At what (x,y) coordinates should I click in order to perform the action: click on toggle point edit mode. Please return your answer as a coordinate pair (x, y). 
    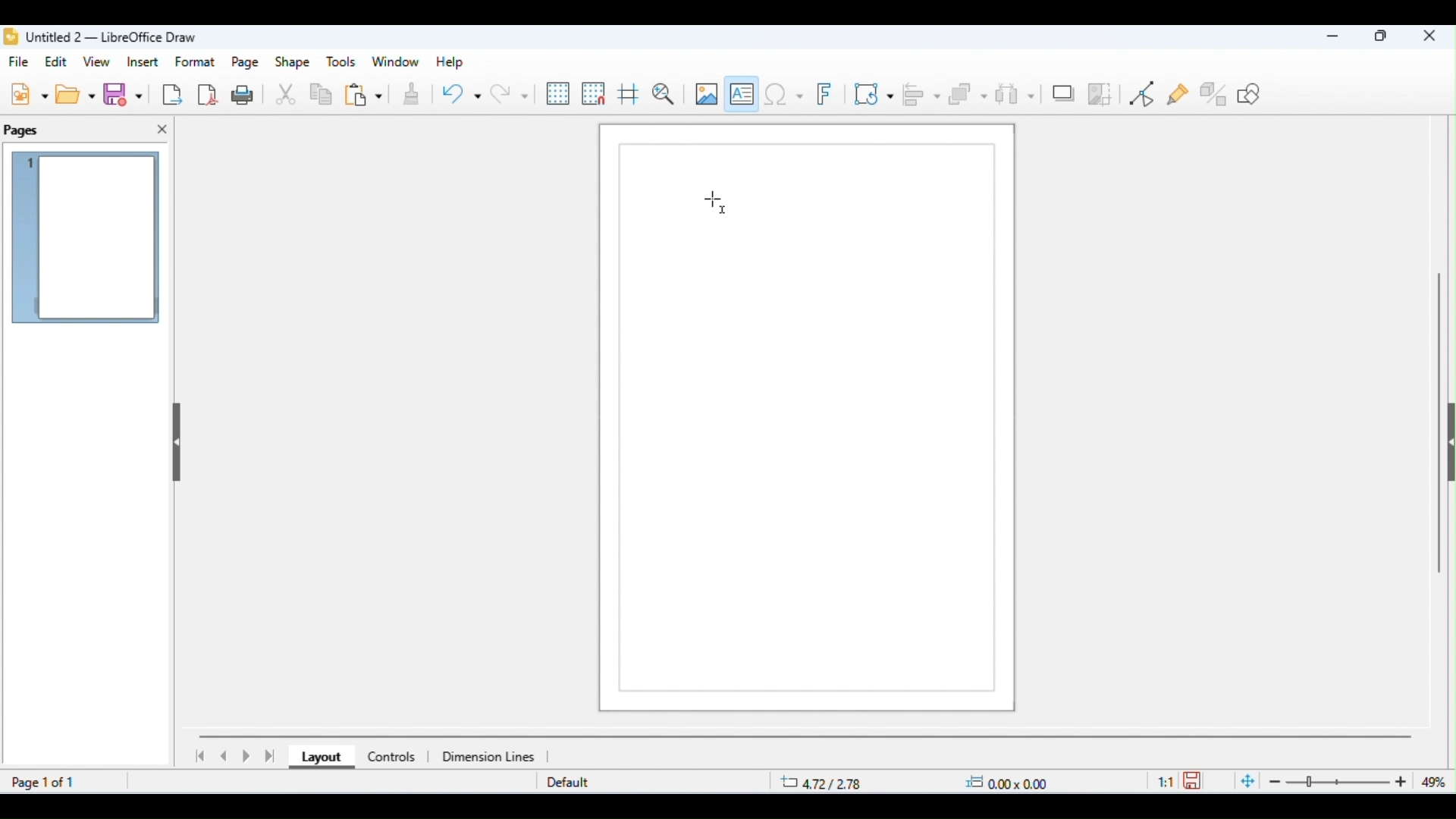
    Looking at the image, I should click on (1145, 94).